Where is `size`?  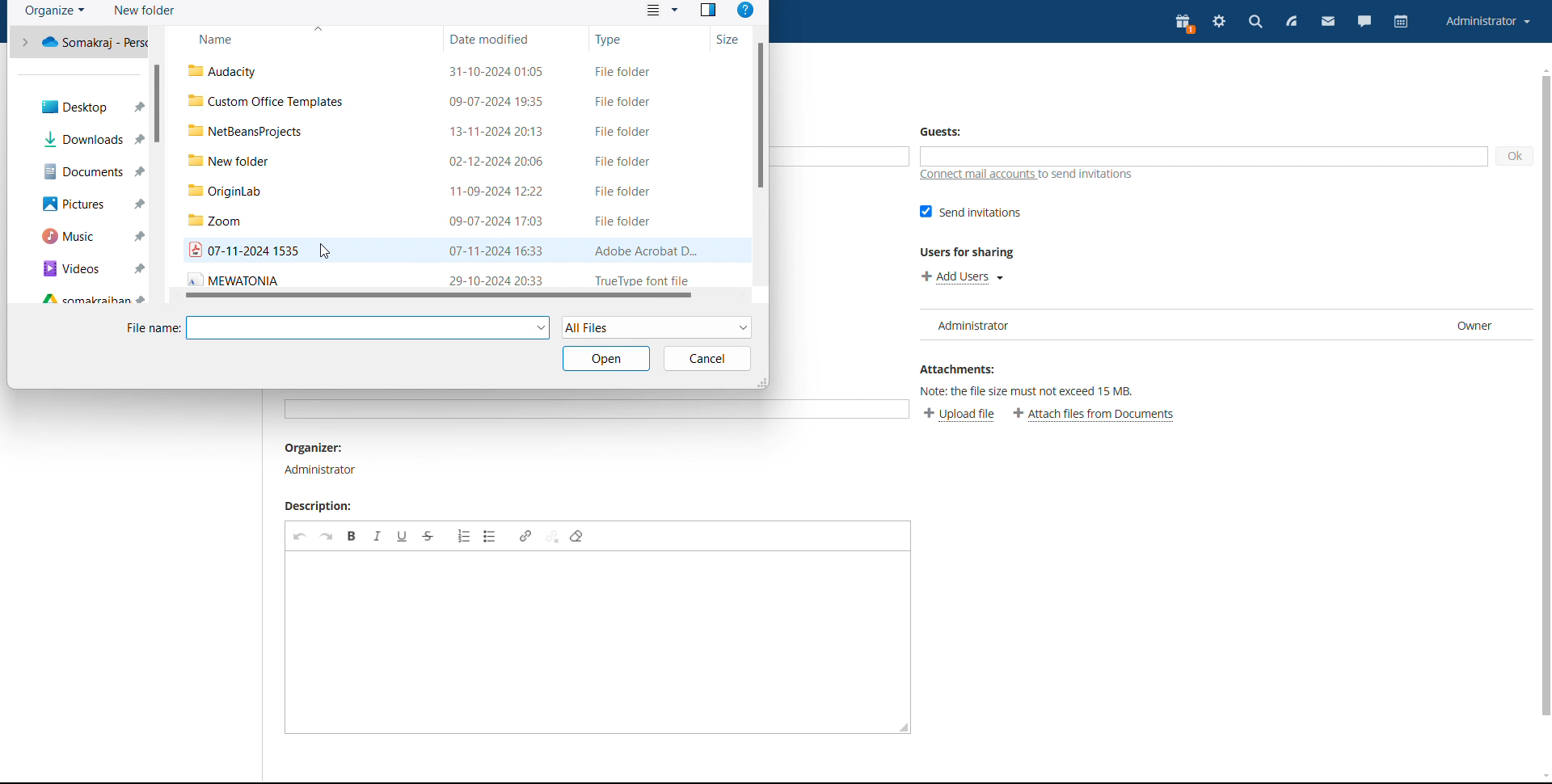
size is located at coordinates (730, 36).